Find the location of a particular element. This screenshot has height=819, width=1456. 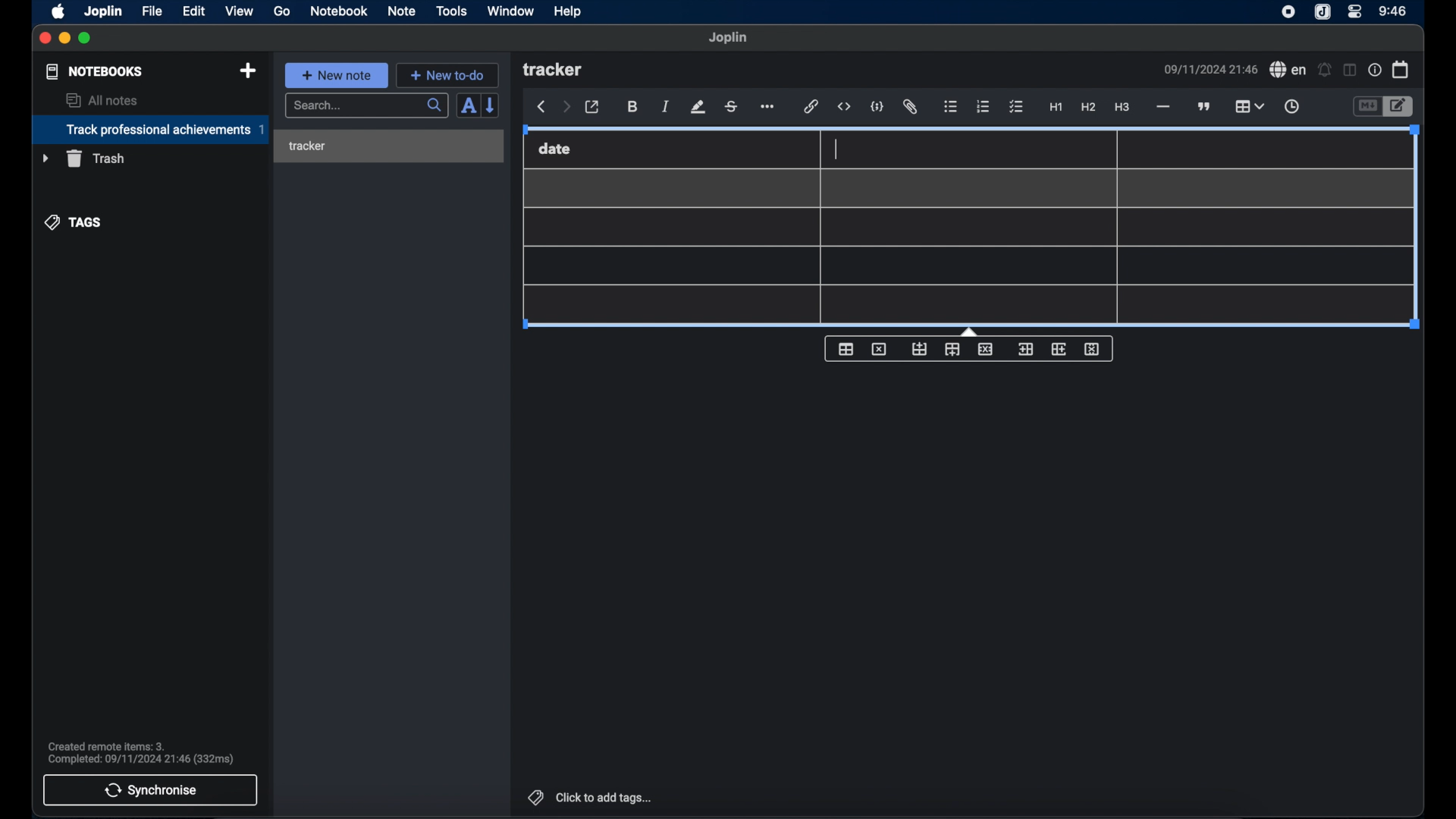

synchronise is located at coordinates (151, 790).